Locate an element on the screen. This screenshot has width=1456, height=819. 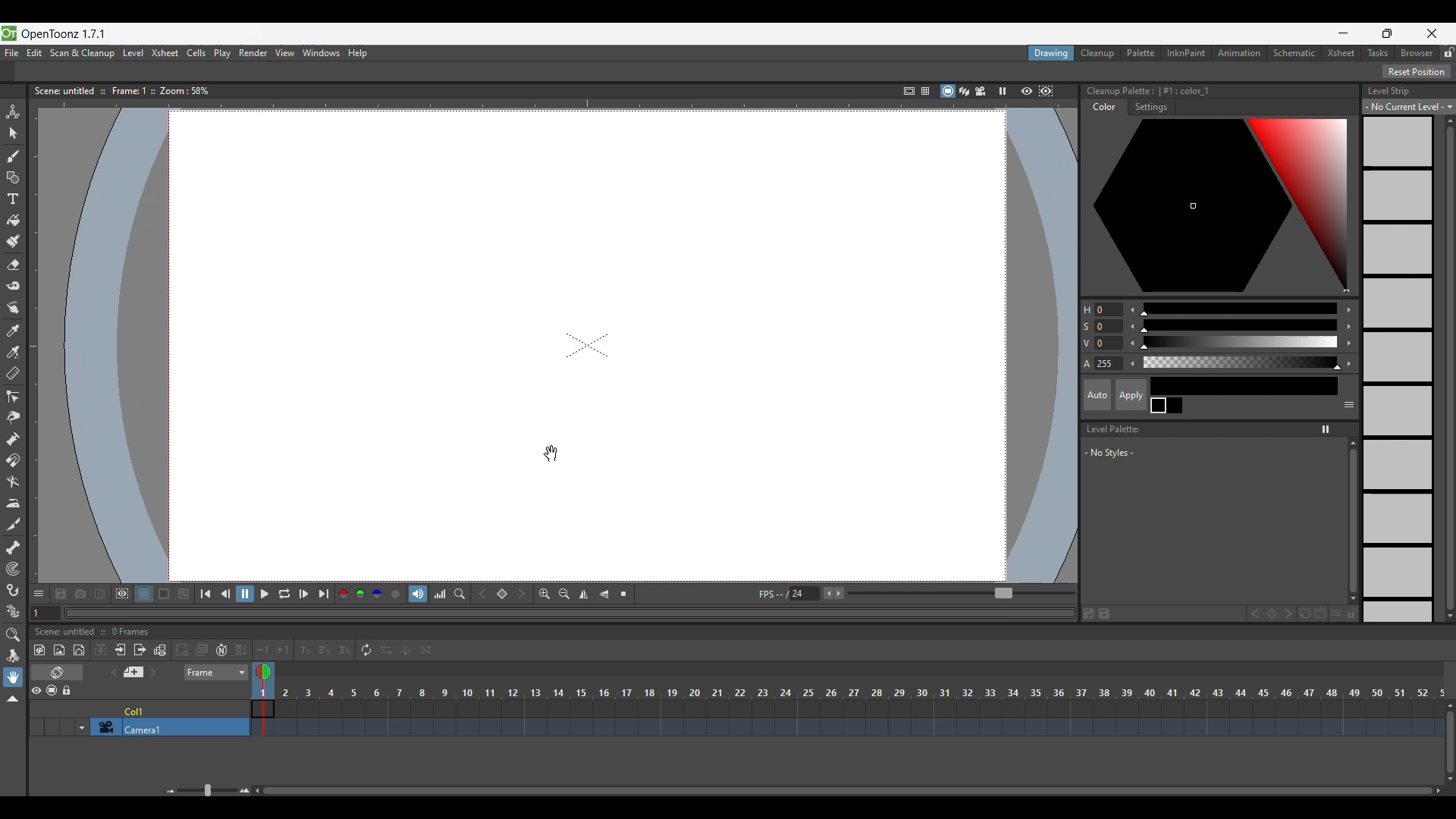
Plastic tool is located at coordinates (13, 611).